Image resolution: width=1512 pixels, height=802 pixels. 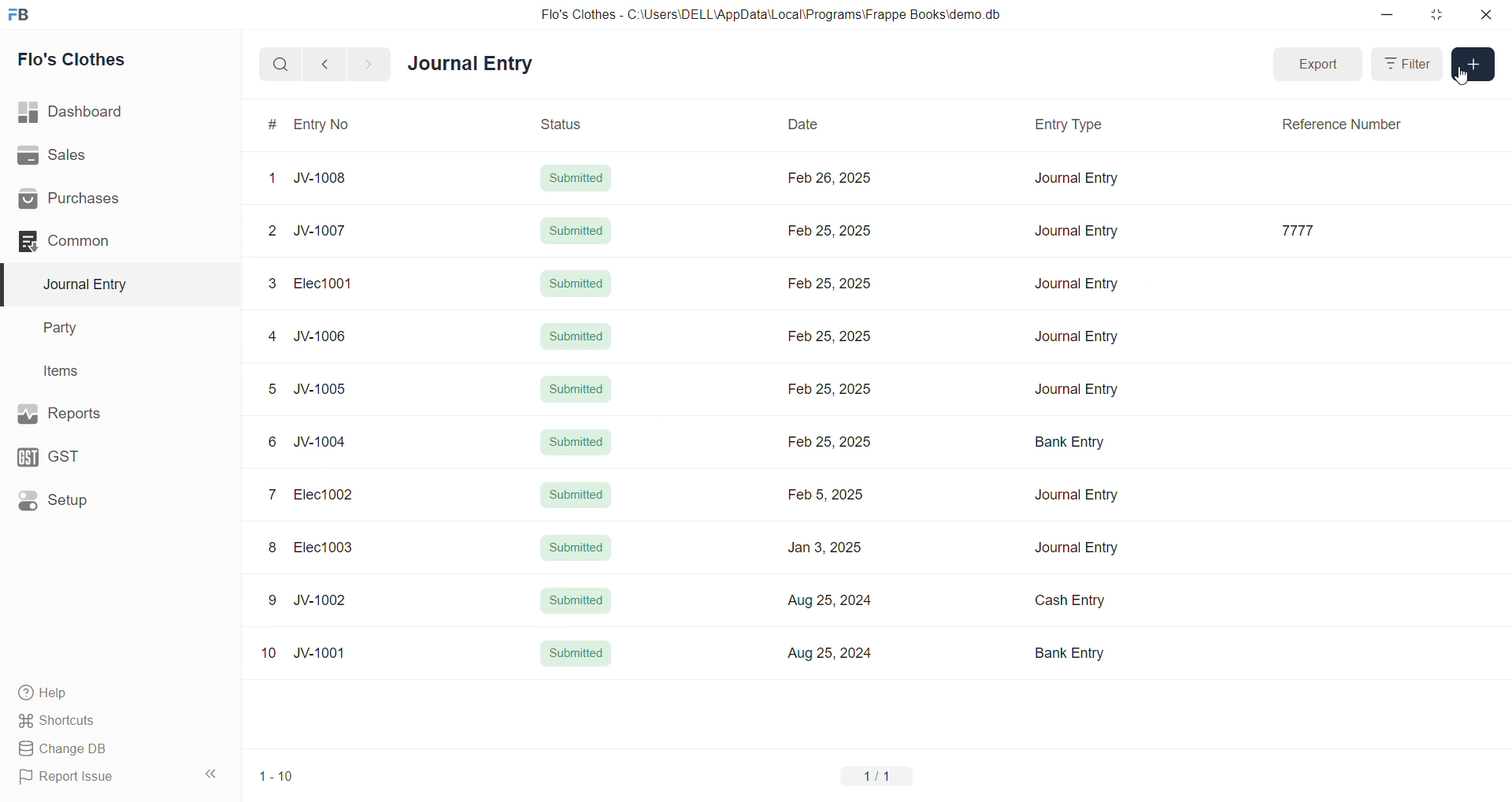 What do you see at coordinates (94, 242) in the screenshot?
I see `Common` at bounding box center [94, 242].